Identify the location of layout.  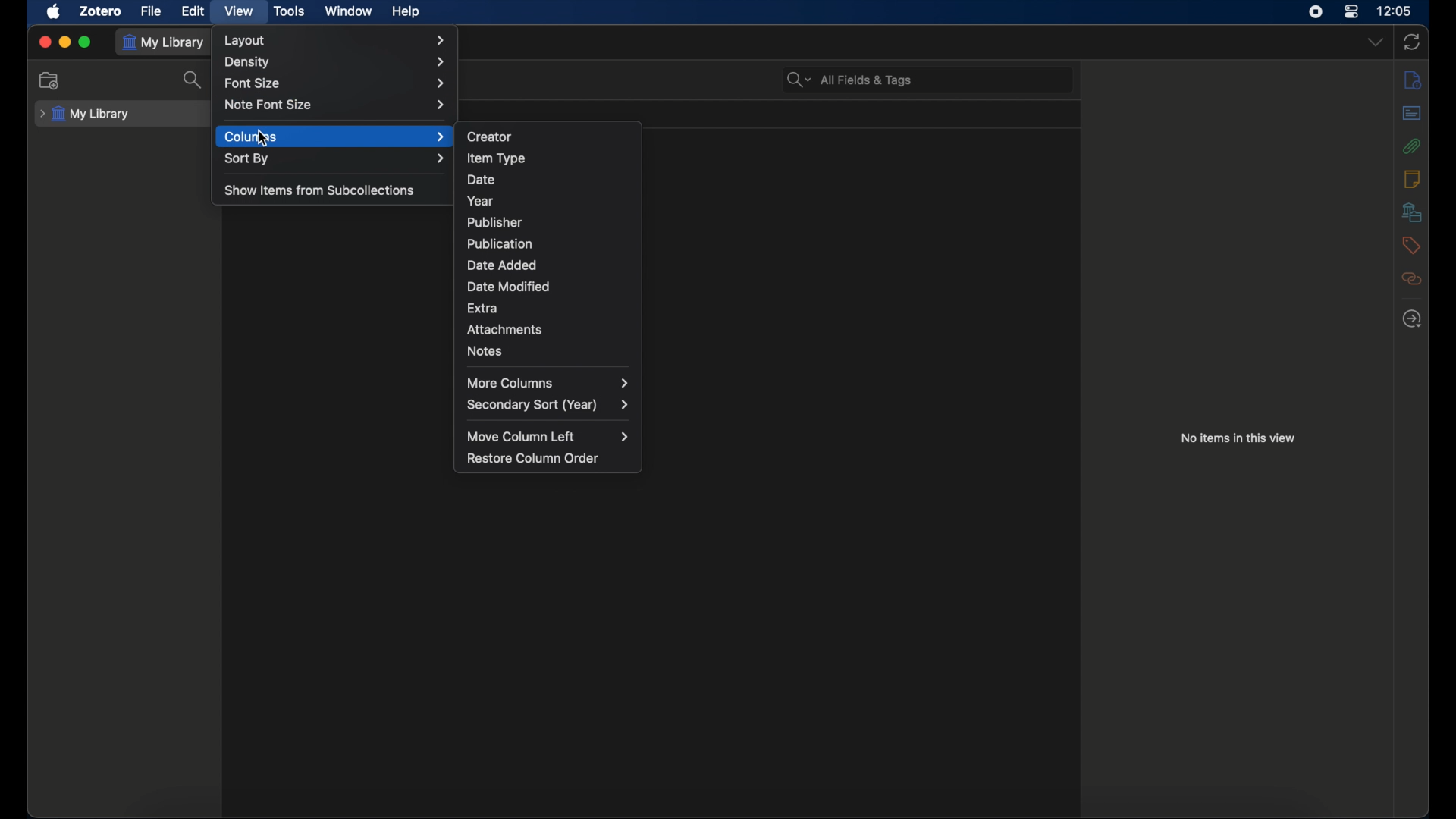
(334, 40).